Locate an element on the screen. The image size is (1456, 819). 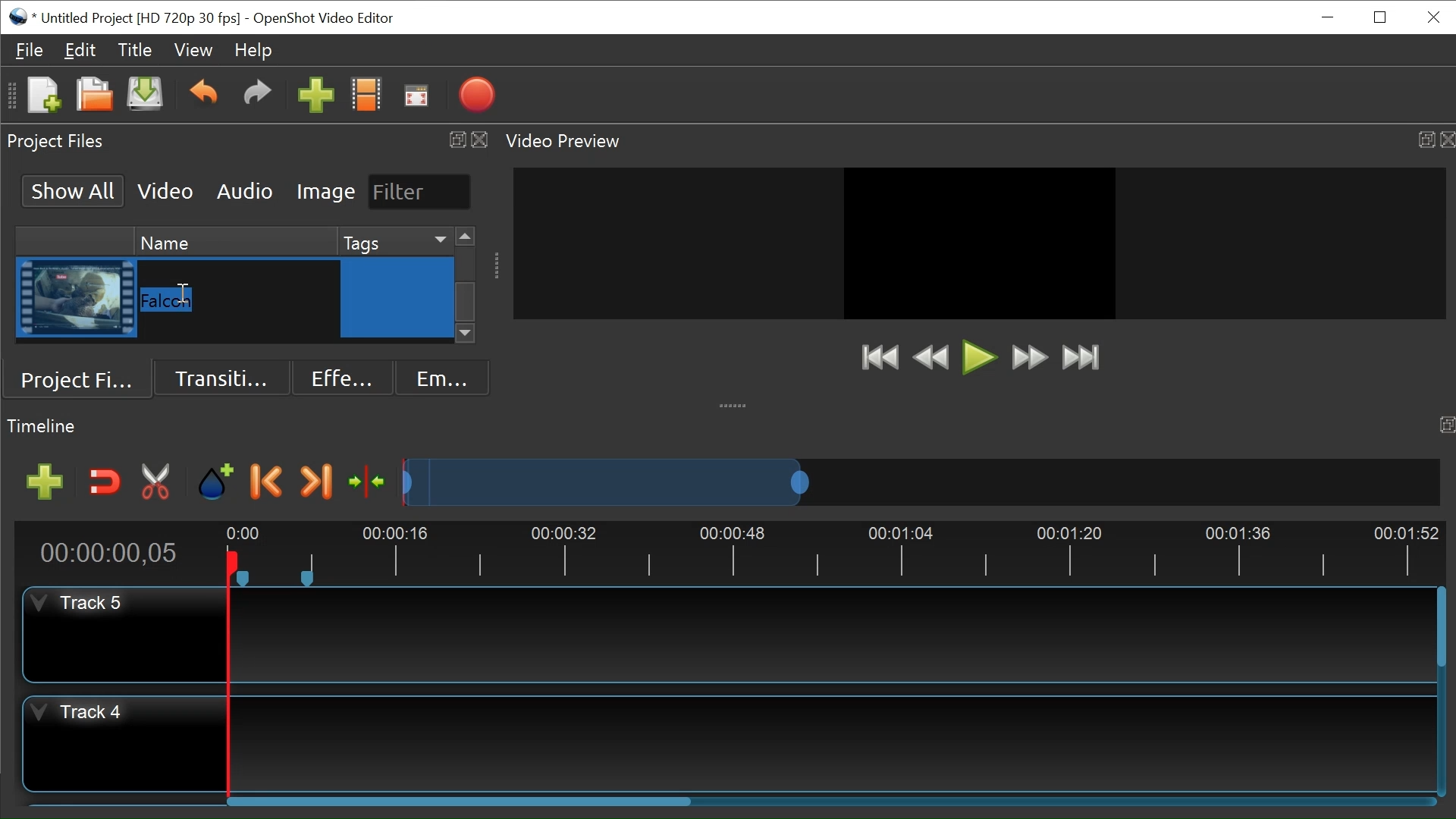
Scroll down is located at coordinates (466, 335).